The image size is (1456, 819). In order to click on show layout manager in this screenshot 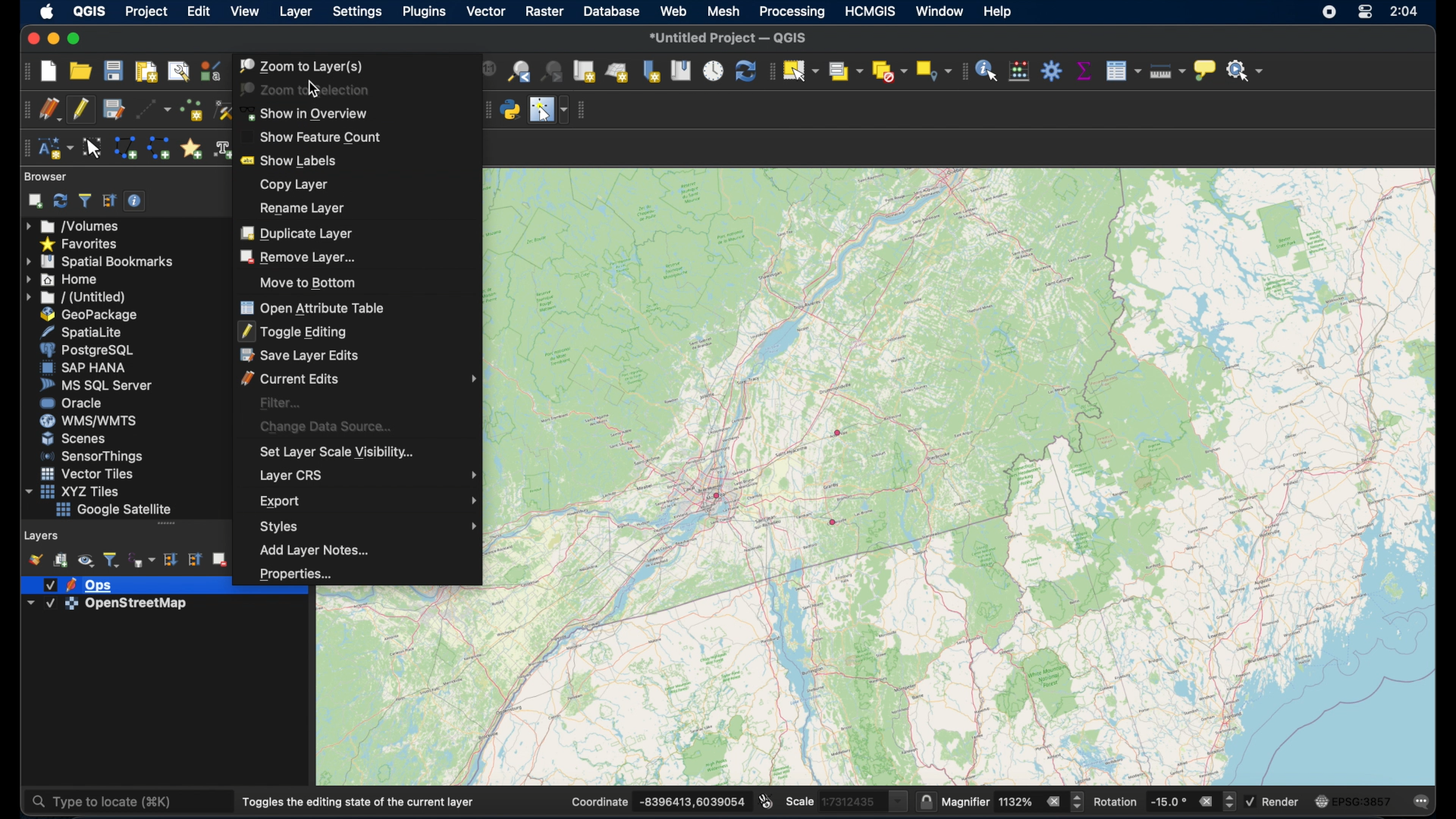, I will do `click(179, 71)`.